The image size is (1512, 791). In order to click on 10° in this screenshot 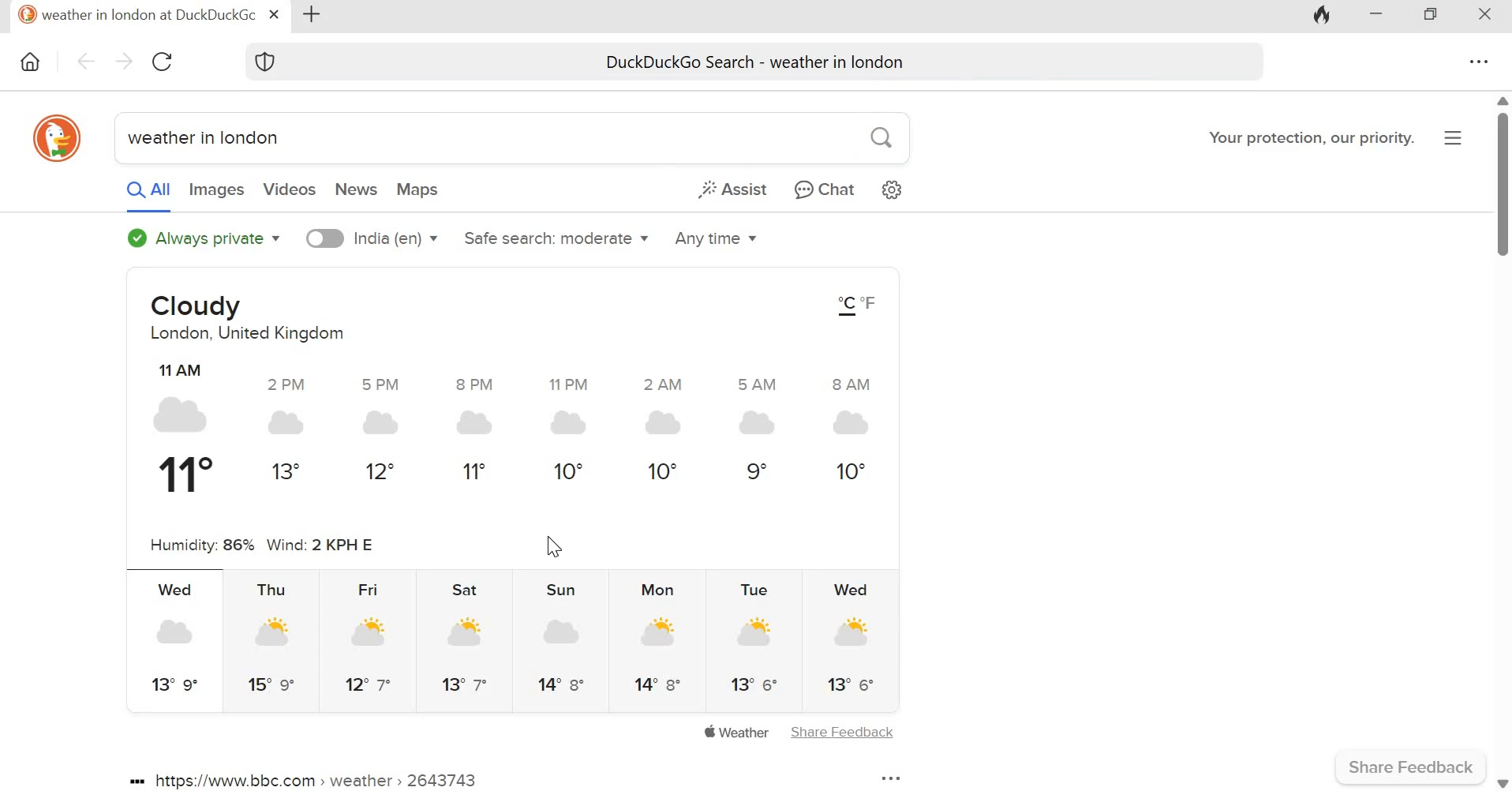, I will do `click(662, 471)`.